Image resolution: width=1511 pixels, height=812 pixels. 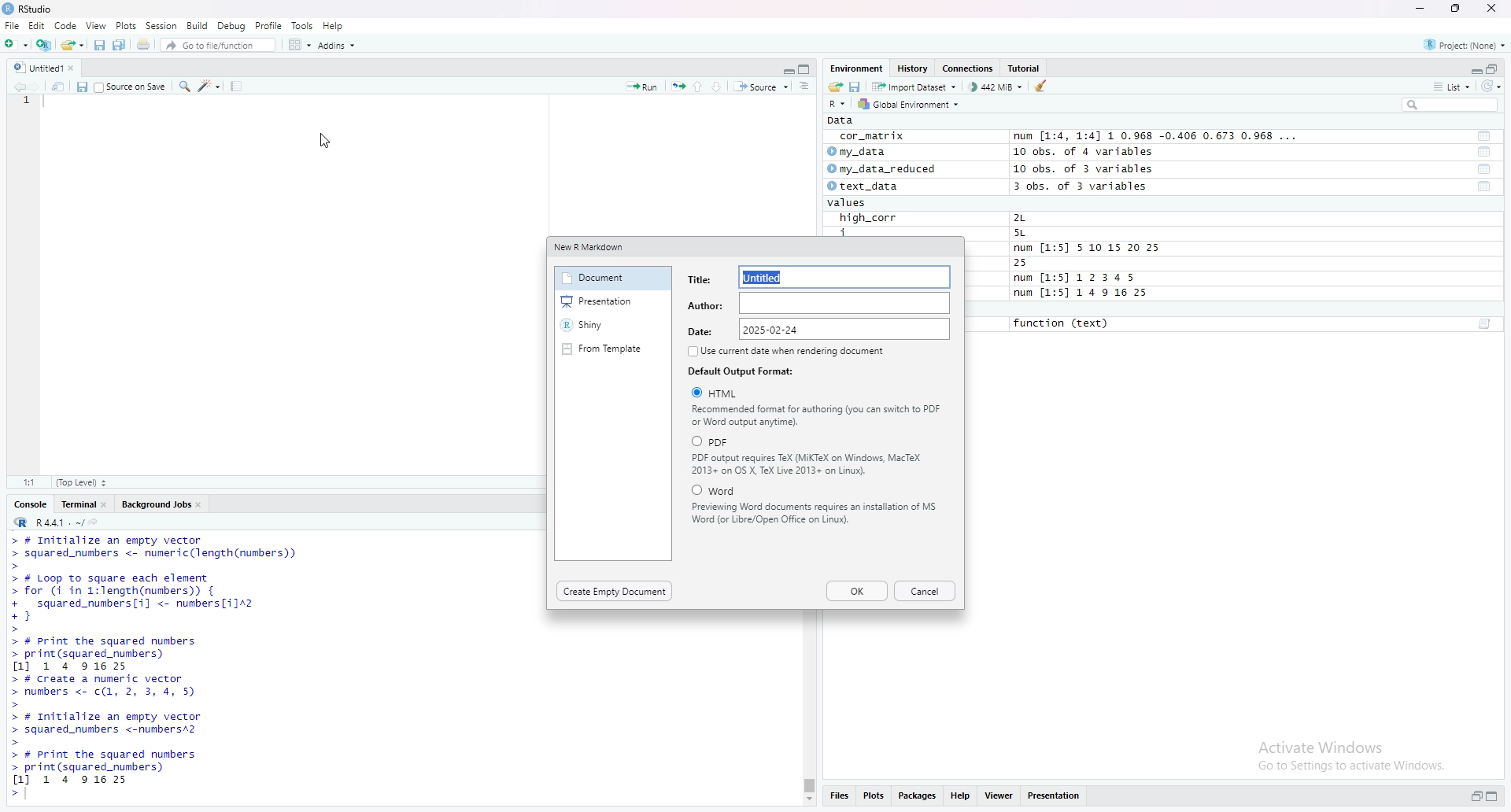 What do you see at coordinates (1040, 218) in the screenshot?
I see `2L` at bounding box center [1040, 218].